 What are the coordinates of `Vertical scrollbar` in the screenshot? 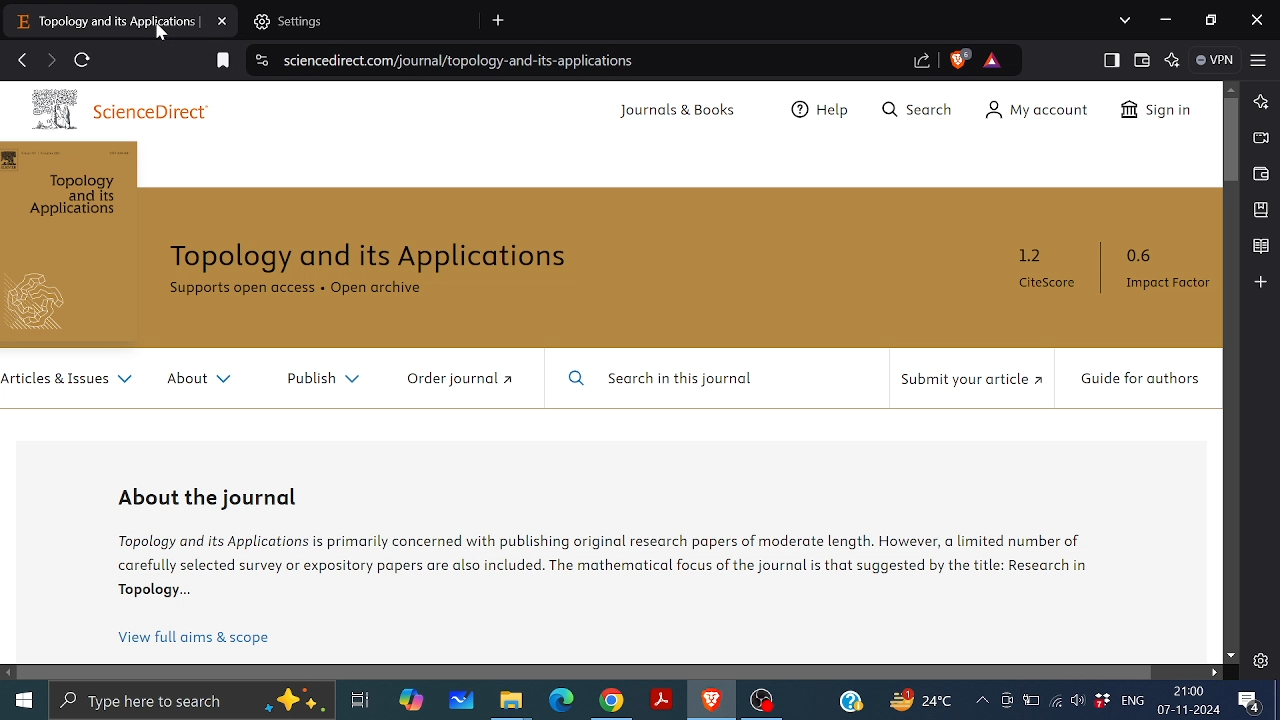 It's located at (1229, 140).